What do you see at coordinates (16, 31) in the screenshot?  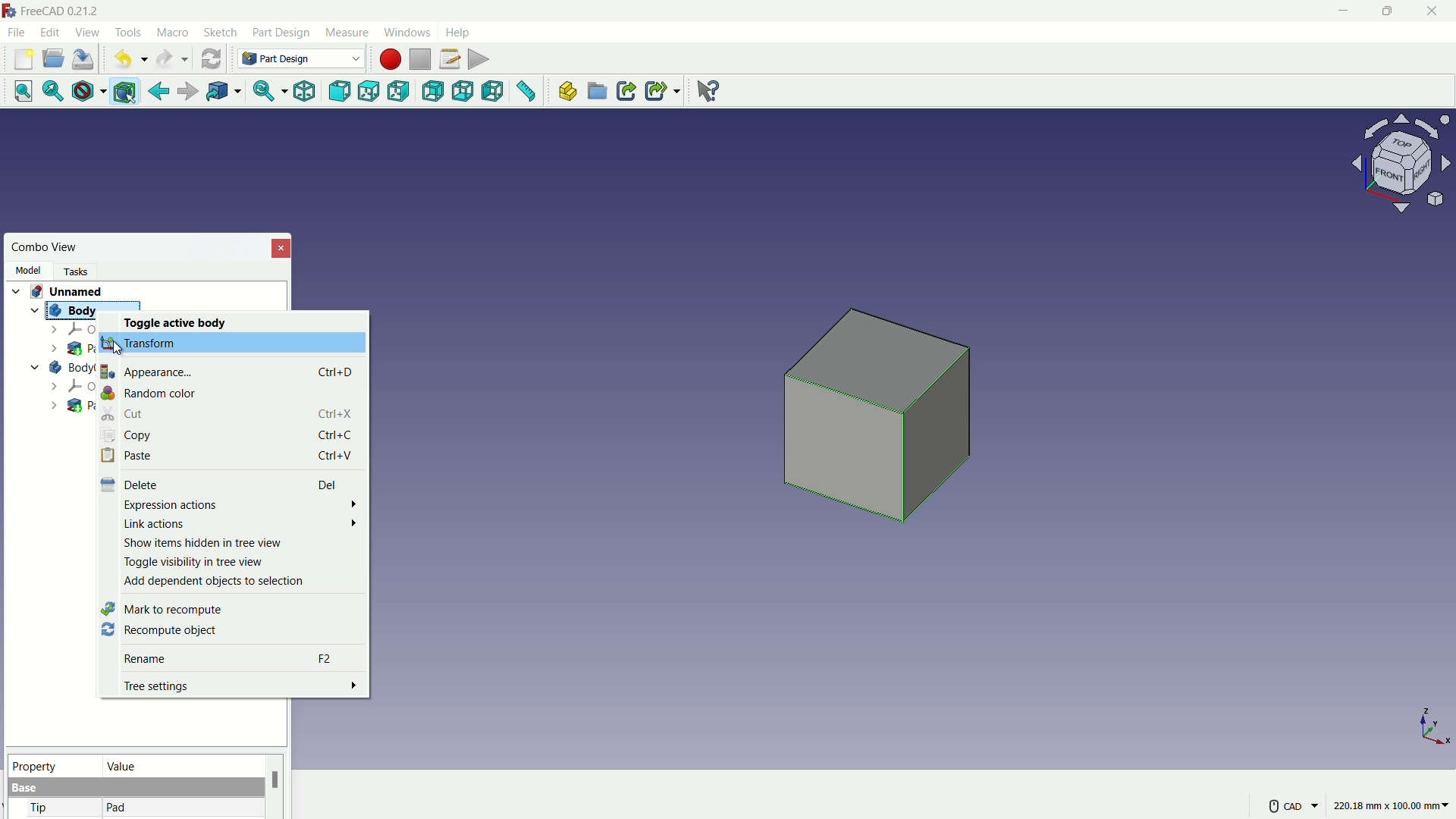 I see `file` at bounding box center [16, 31].